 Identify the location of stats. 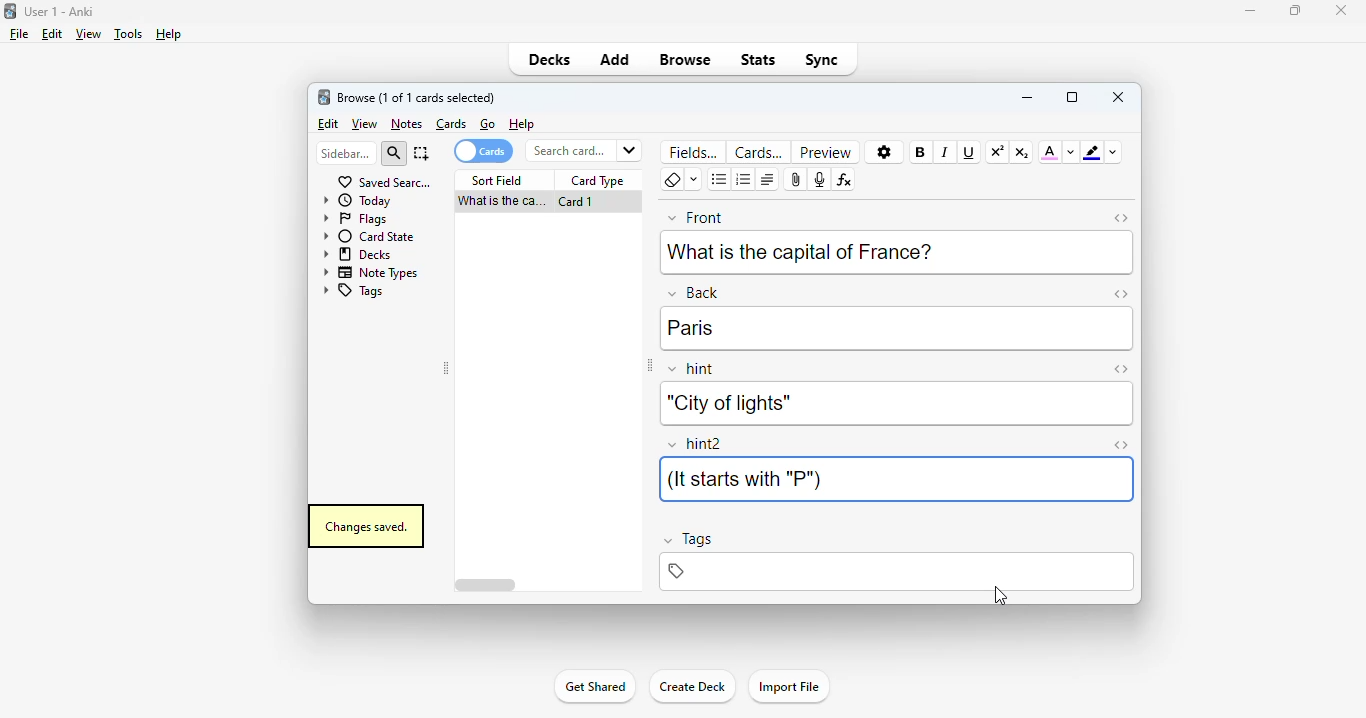
(759, 59).